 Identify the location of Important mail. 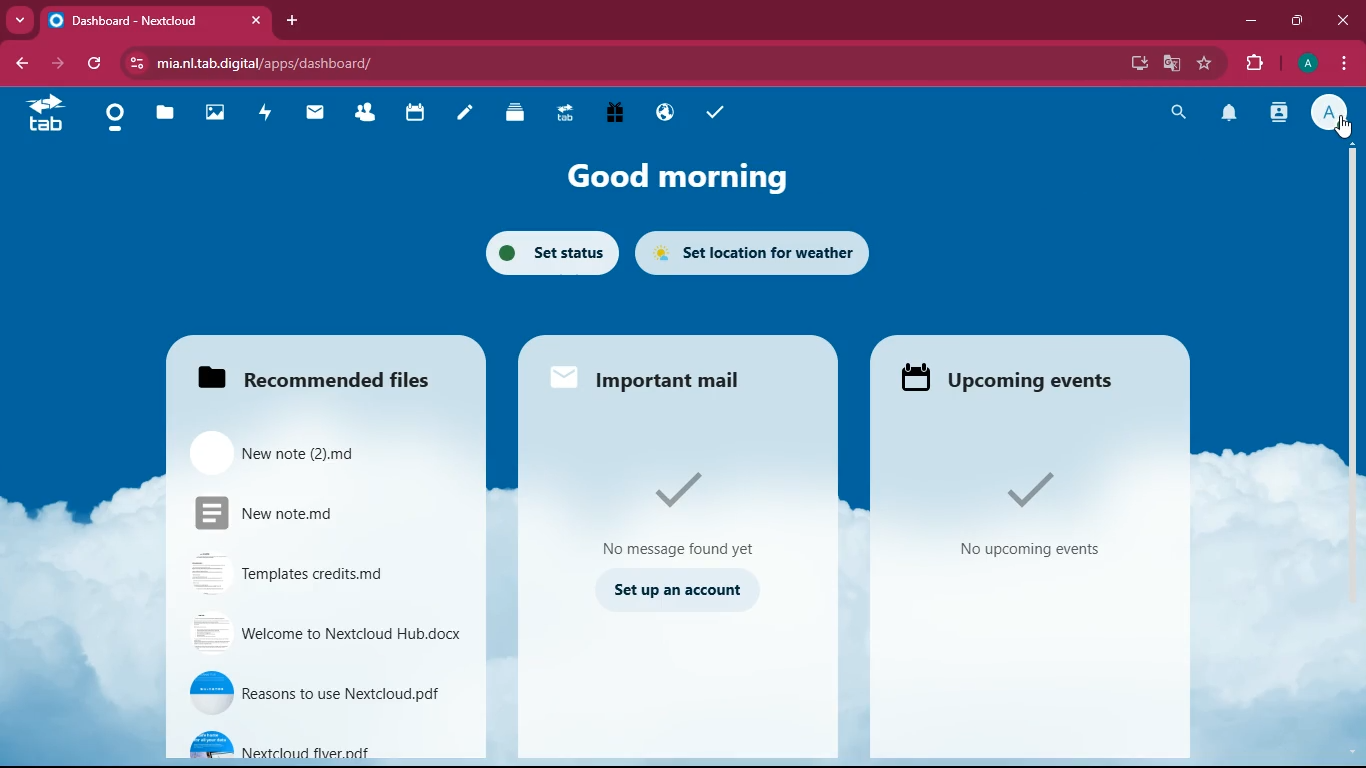
(672, 384).